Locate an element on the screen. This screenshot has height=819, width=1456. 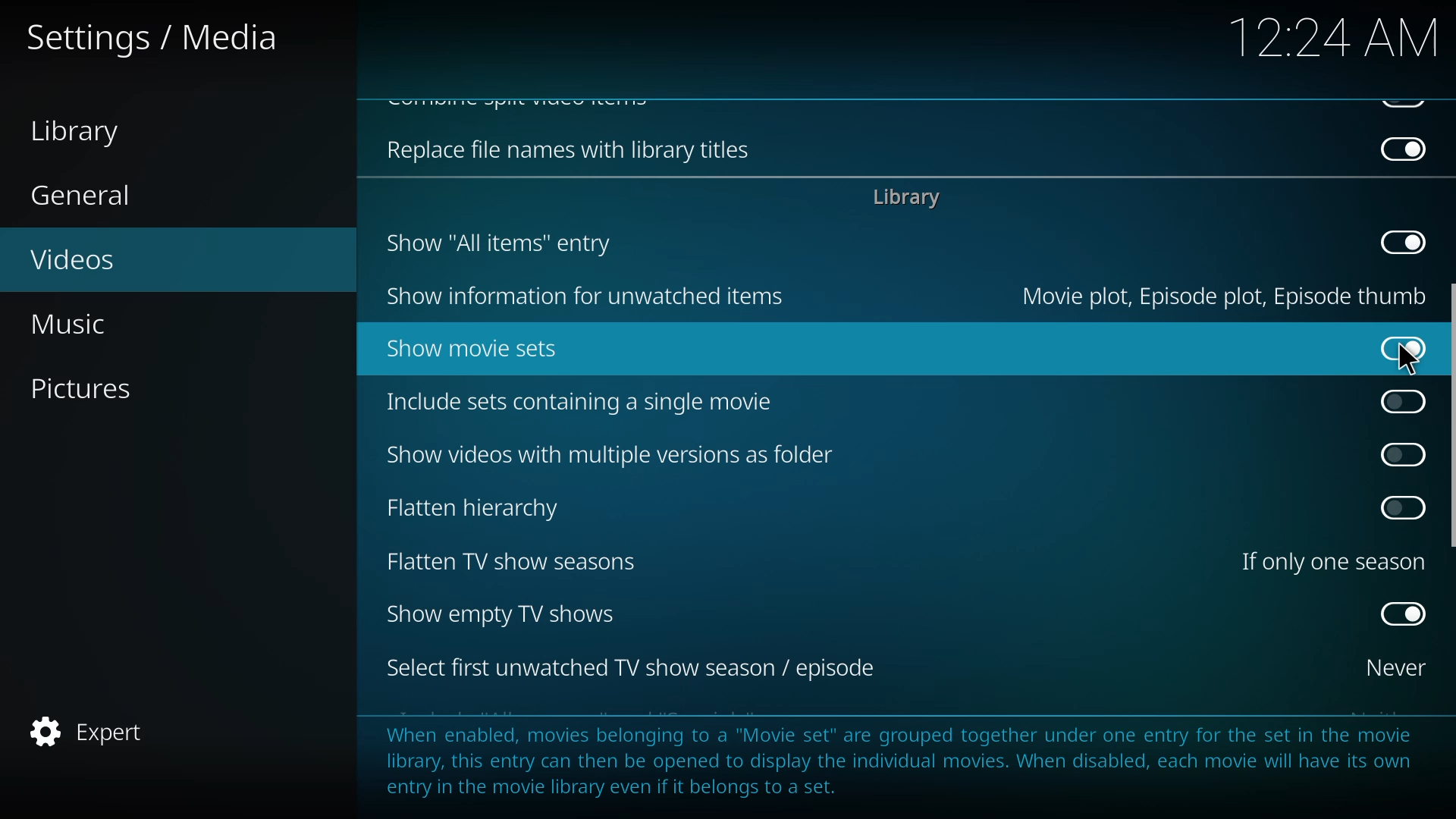
settings media is located at coordinates (161, 36).